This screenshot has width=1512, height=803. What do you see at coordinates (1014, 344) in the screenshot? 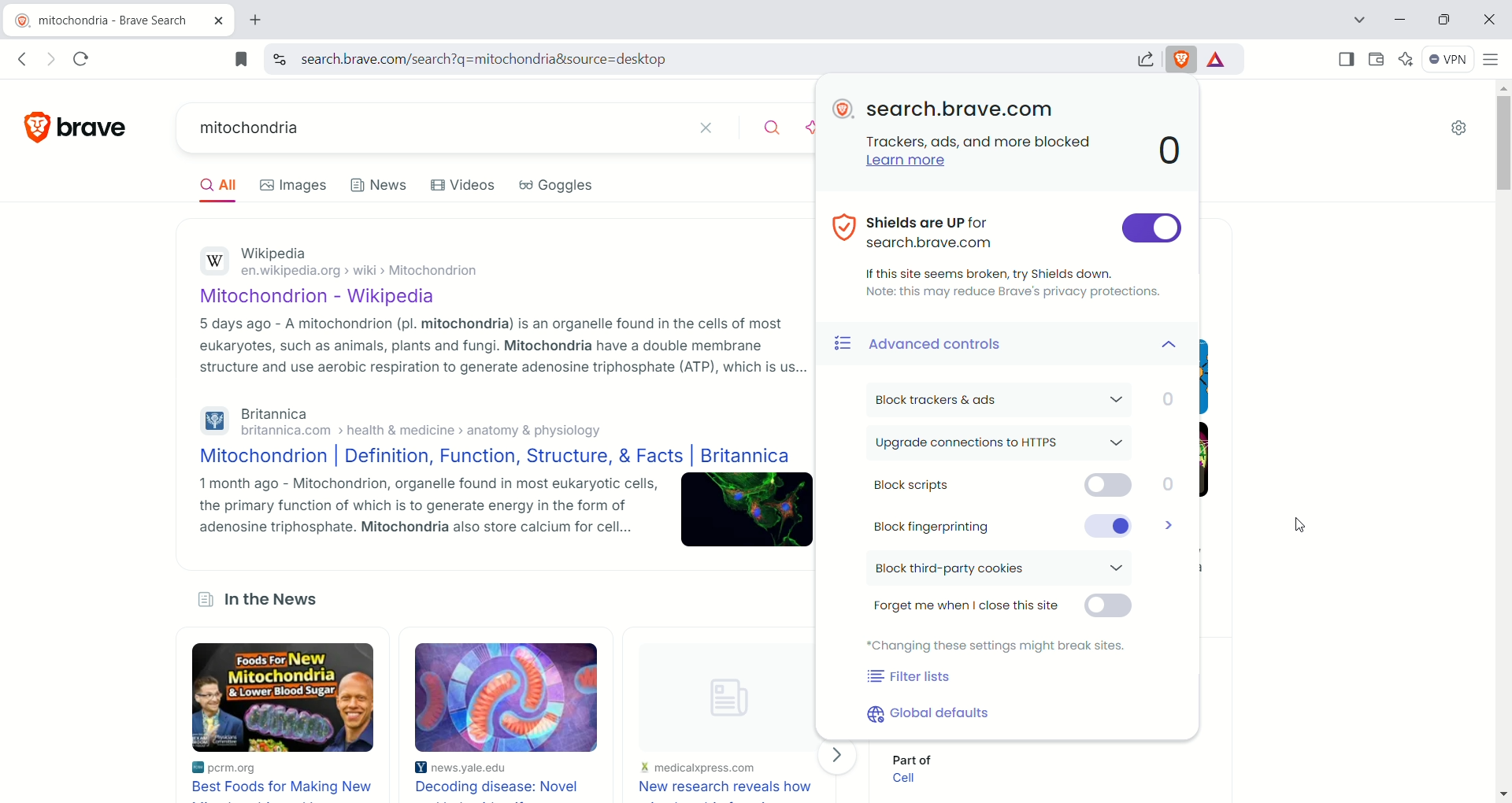
I see `advanced controls` at bounding box center [1014, 344].